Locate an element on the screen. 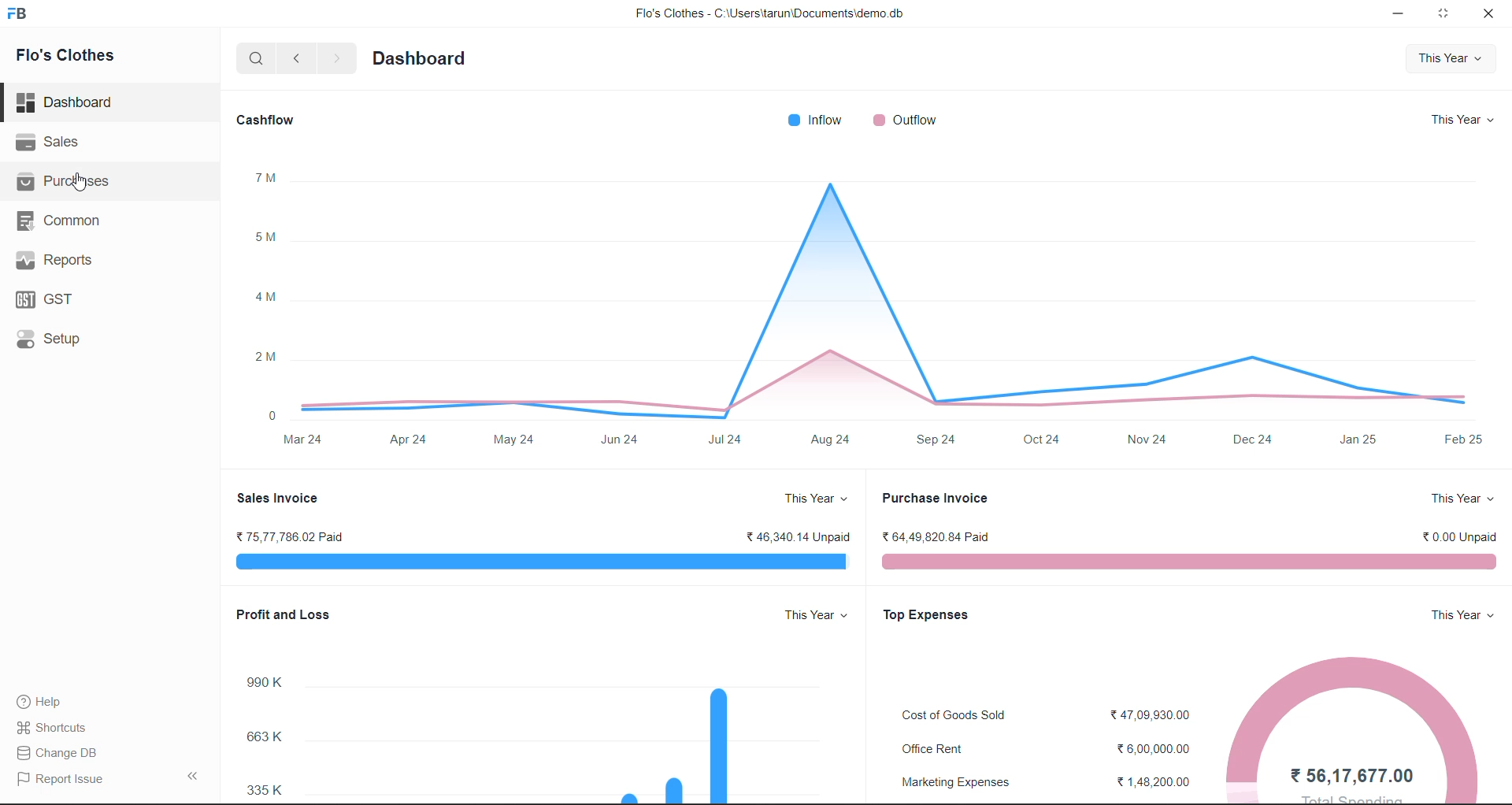 This screenshot has width=1512, height=805. chart is located at coordinates (891, 291).